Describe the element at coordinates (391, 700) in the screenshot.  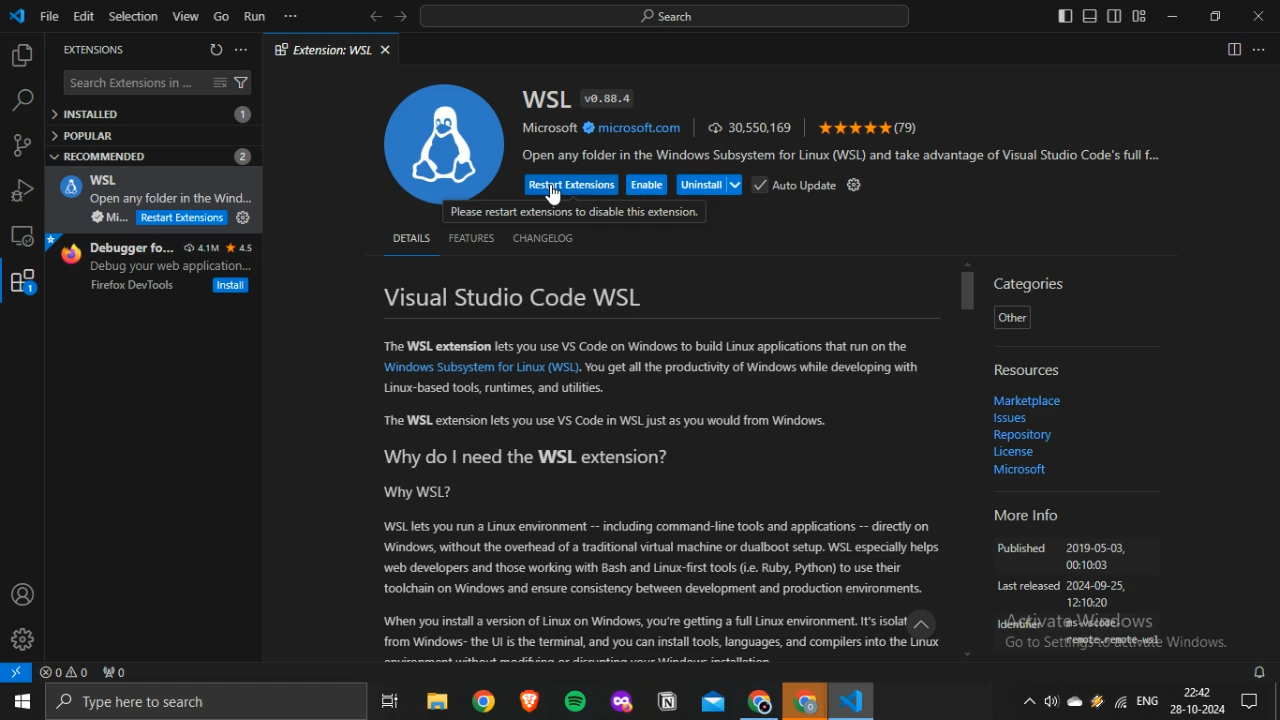
I see `task view` at that location.